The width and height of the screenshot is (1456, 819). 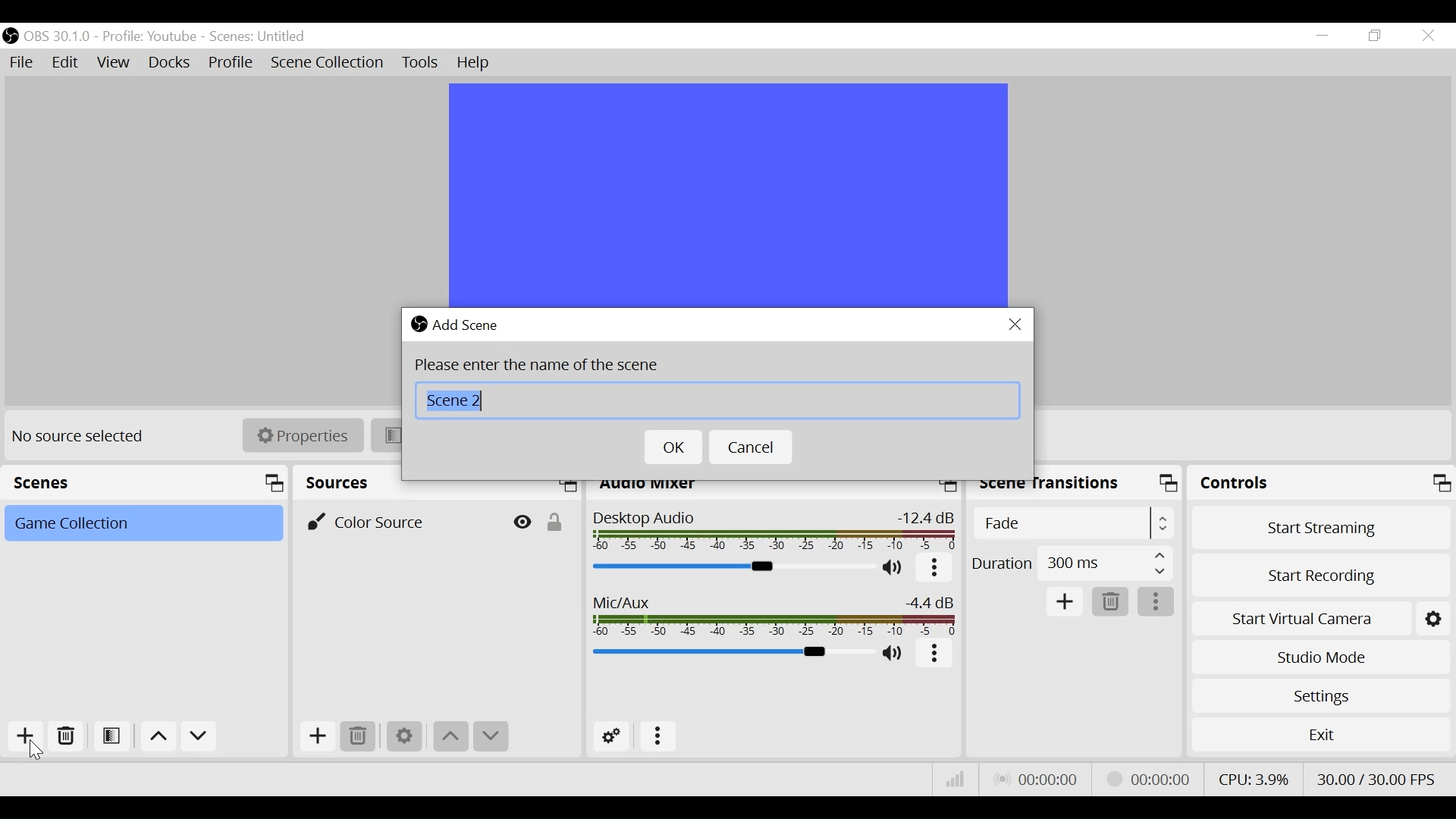 I want to click on Cursor, so click(x=39, y=749).